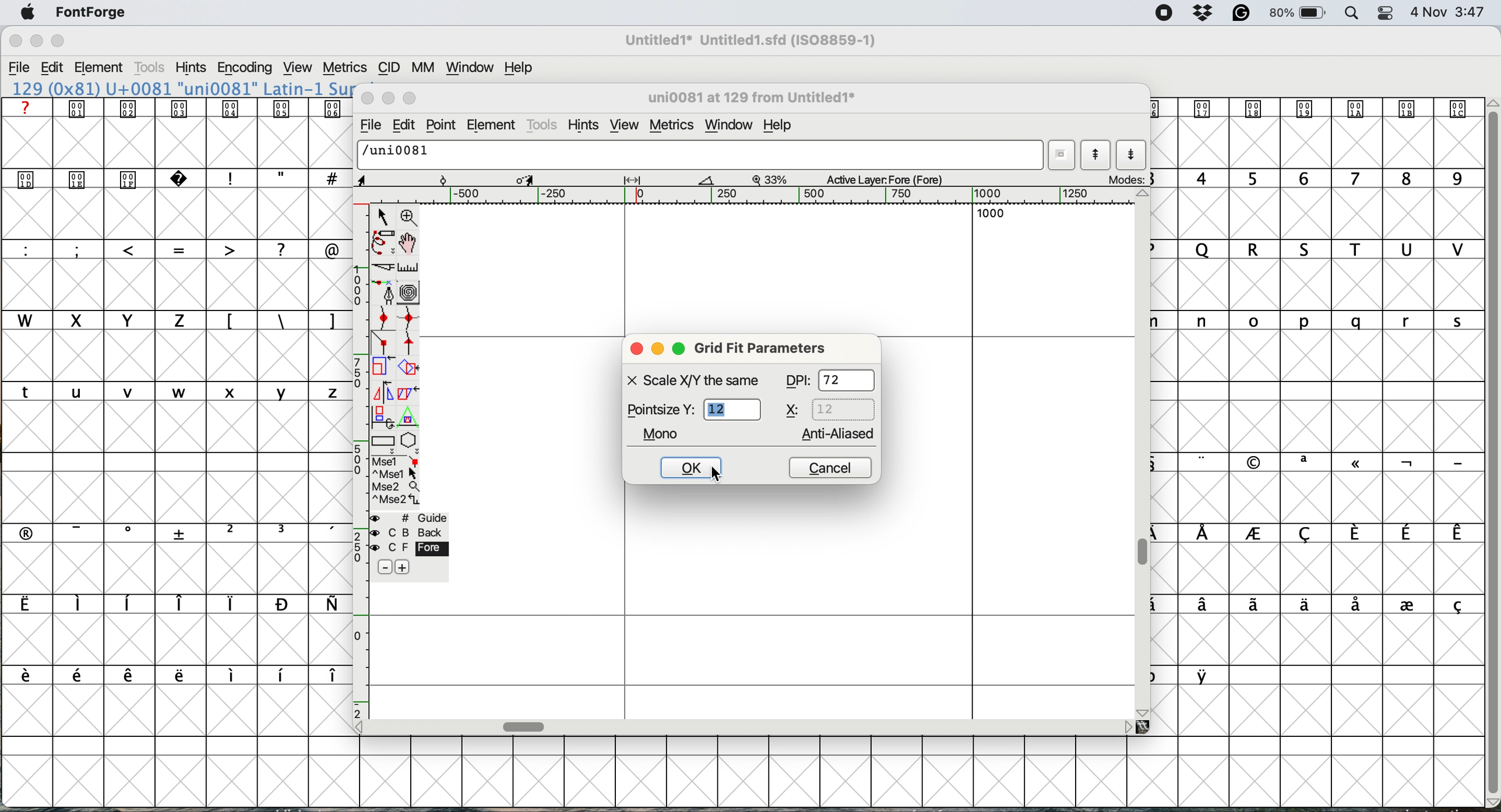  Describe the element at coordinates (687, 467) in the screenshot. I see `k` at that location.